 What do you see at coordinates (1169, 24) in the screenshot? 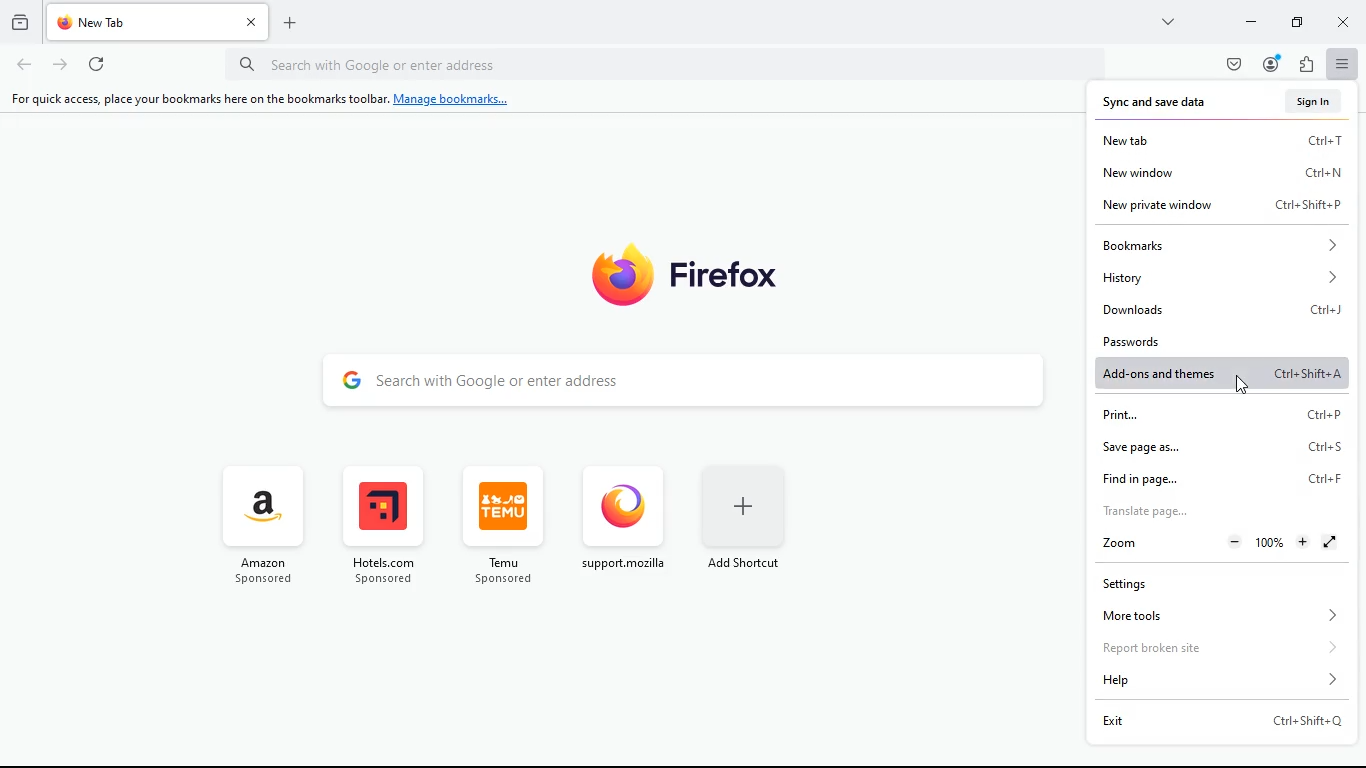
I see `more` at bounding box center [1169, 24].